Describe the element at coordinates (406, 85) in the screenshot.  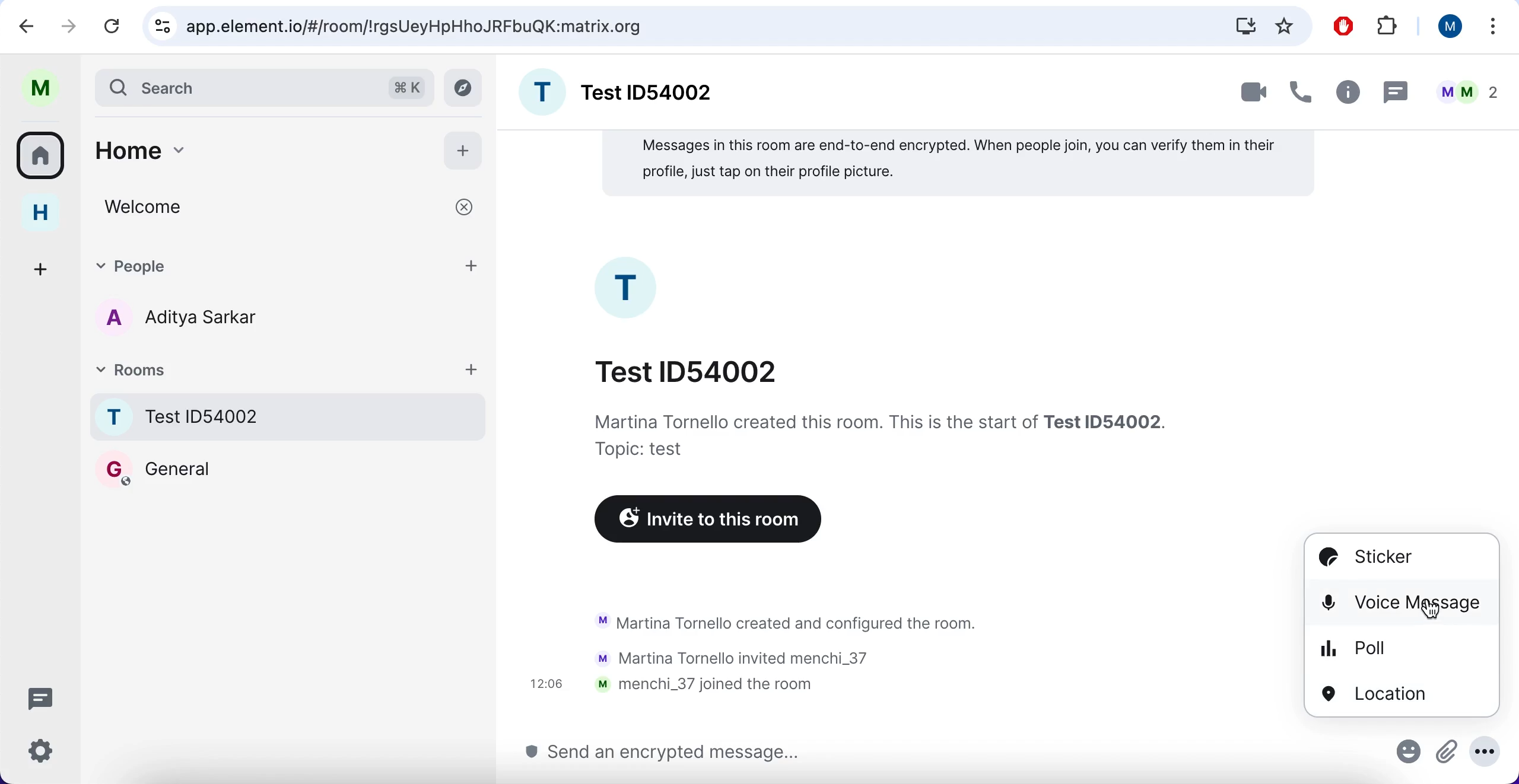
I see `command` at that location.